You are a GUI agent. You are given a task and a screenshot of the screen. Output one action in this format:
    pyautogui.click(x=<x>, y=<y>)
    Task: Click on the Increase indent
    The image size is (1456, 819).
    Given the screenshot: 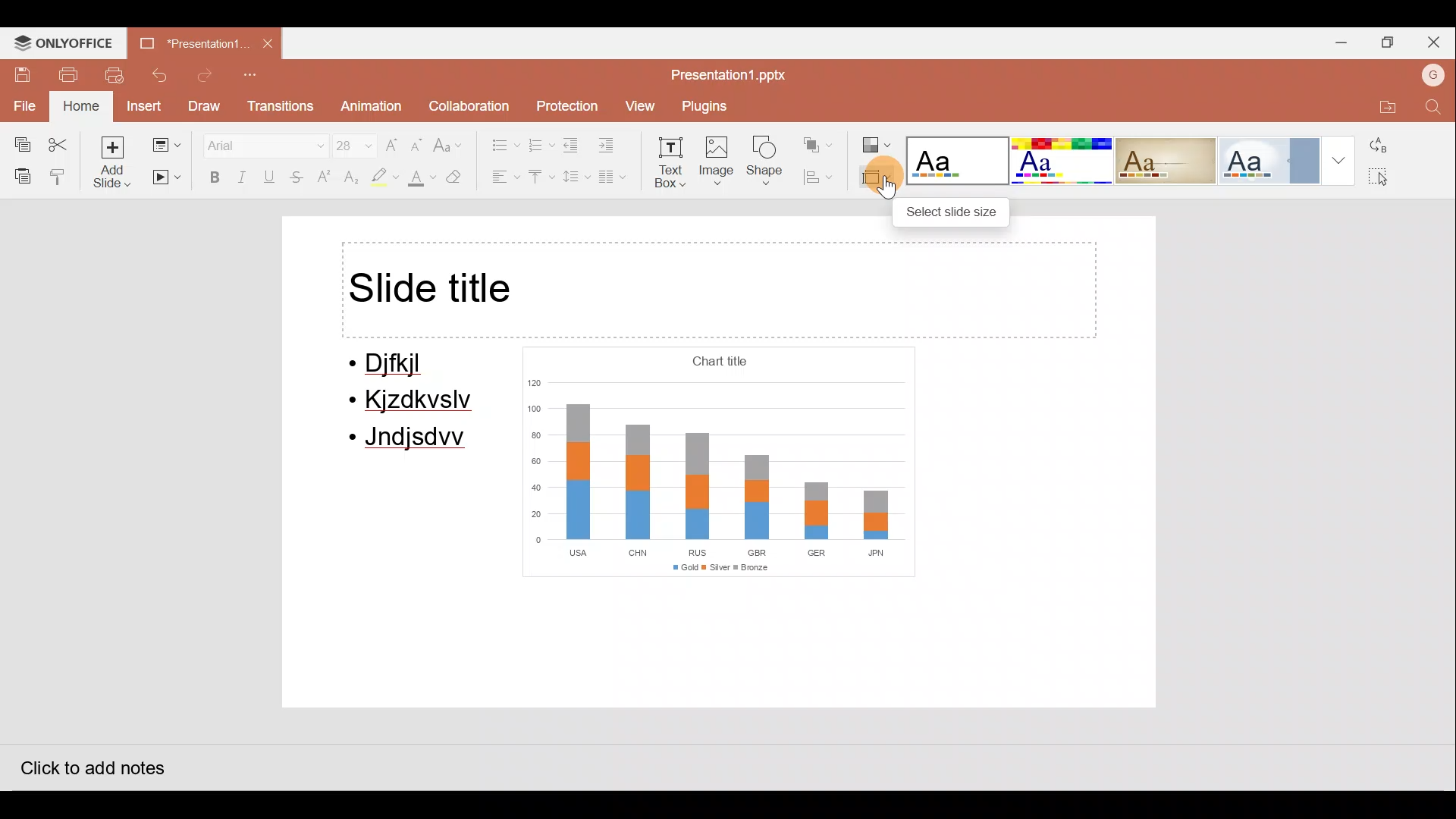 What is the action you would take?
    pyautogui.click(x=616, y=146)
    